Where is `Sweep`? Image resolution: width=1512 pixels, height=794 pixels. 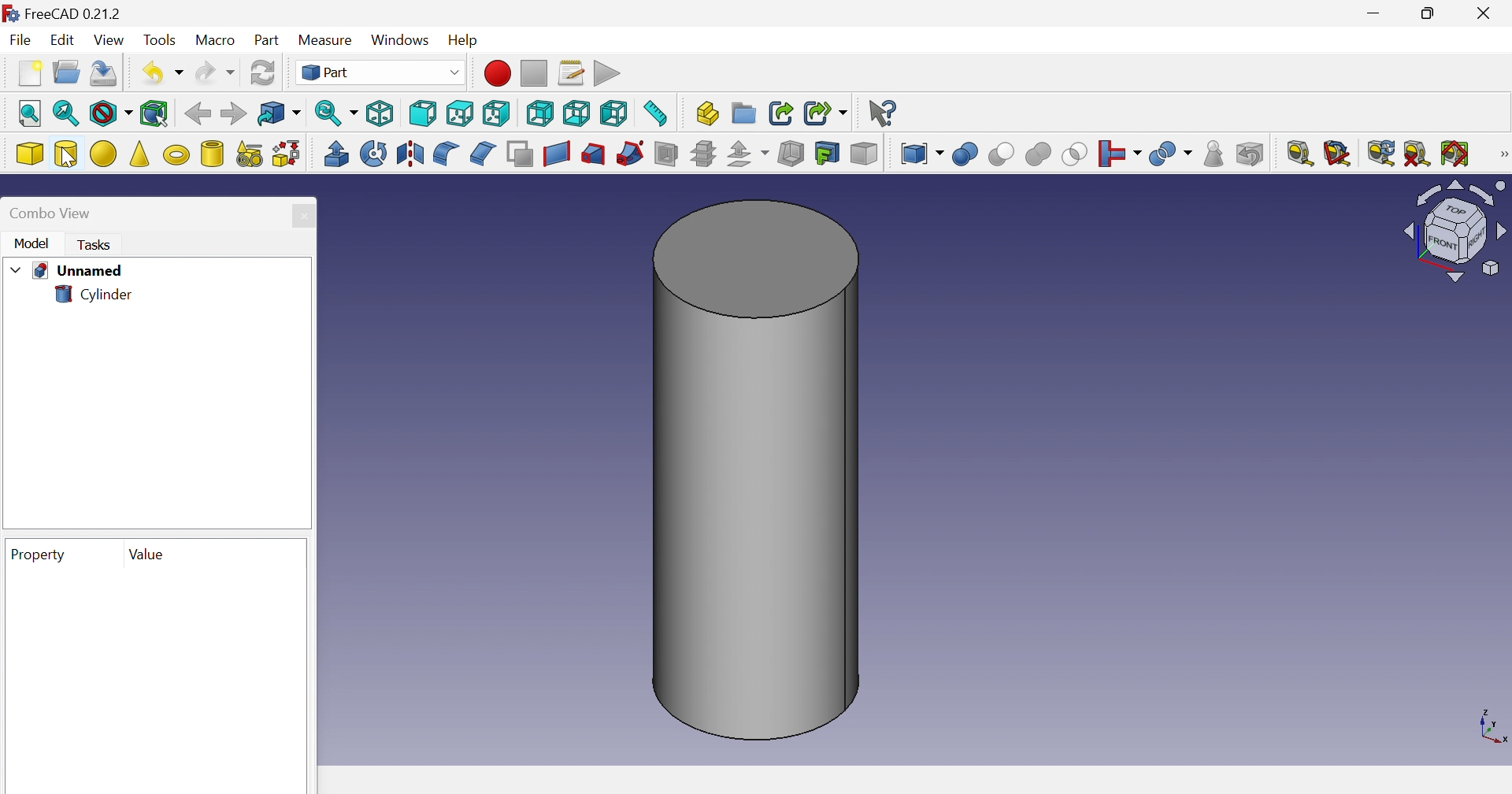
Sweep is located at coordinates (595, 155).